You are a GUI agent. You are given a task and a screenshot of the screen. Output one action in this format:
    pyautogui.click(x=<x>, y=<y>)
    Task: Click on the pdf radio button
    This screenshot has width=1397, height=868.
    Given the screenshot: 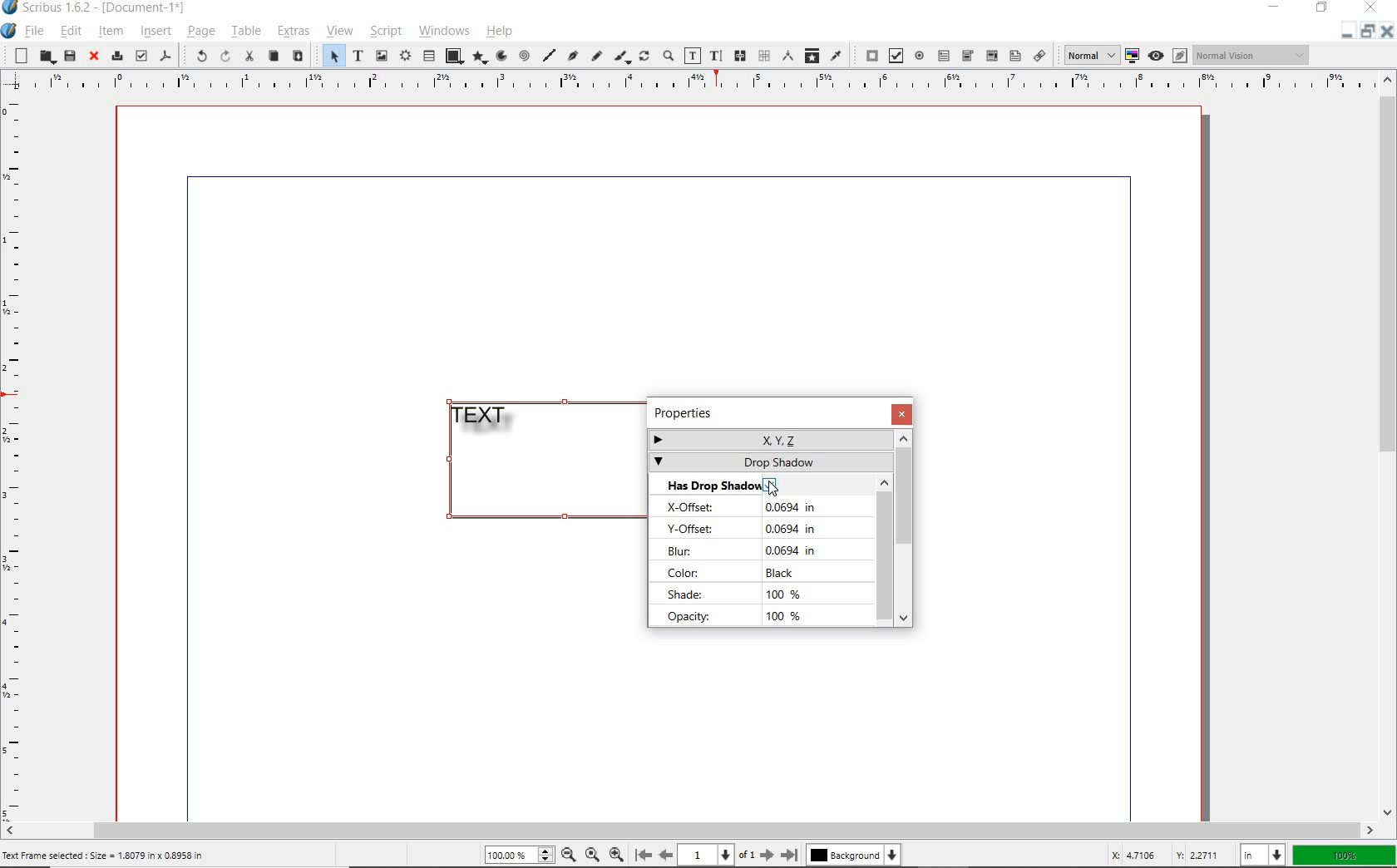 What is the action you would take?
    pyautogui.click(x=920, y=56)
    